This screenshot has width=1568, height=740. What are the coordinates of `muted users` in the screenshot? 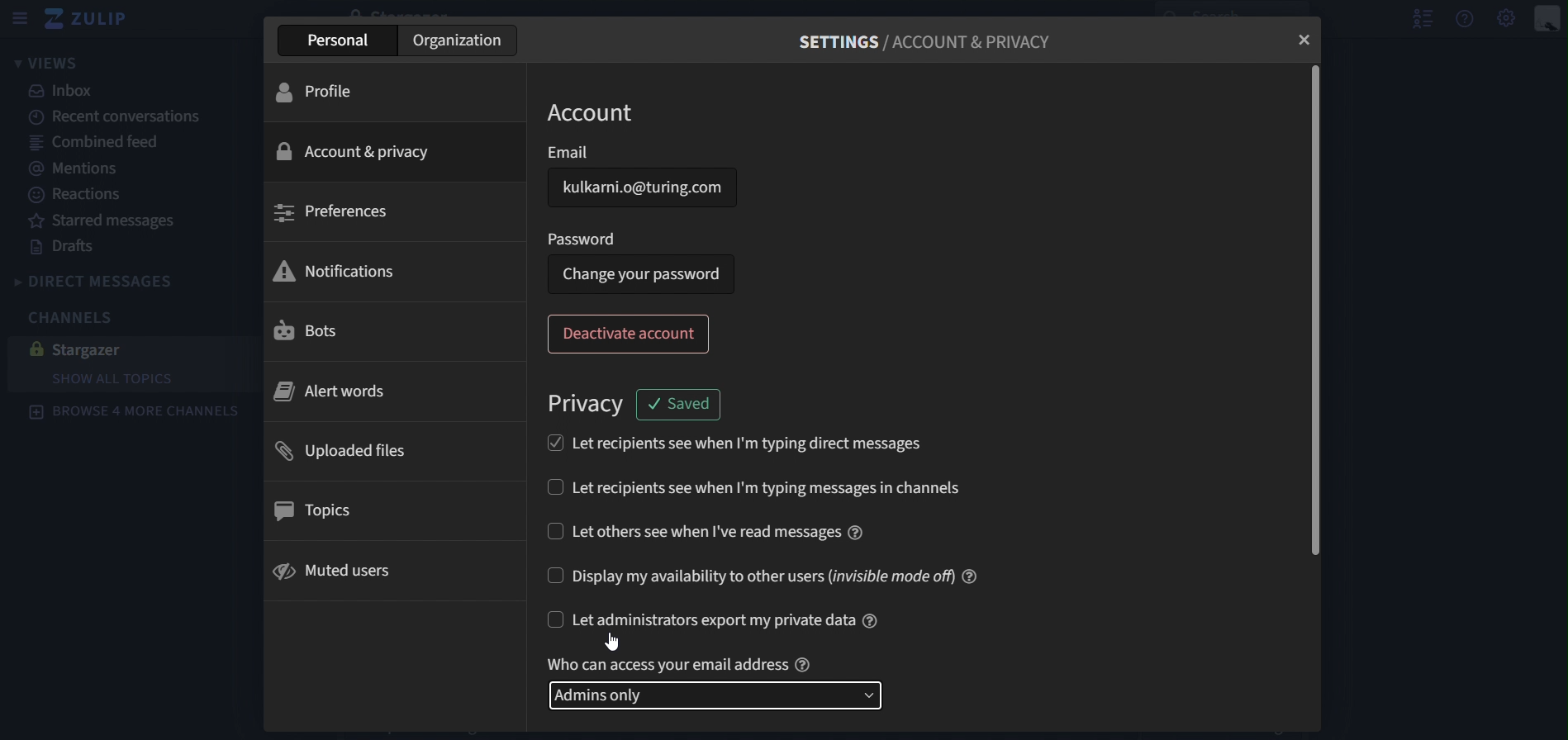 It's located at (339, 572).